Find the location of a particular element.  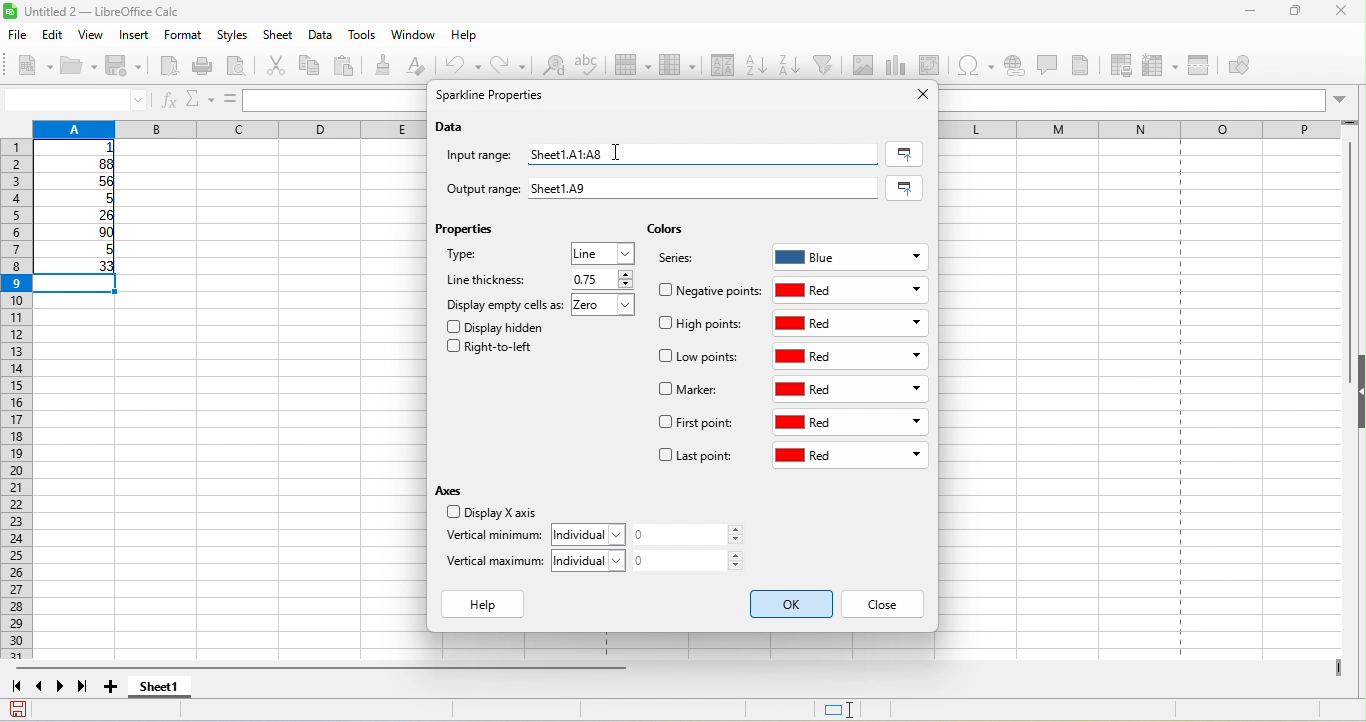

5 is located at coordinates (81, 199).